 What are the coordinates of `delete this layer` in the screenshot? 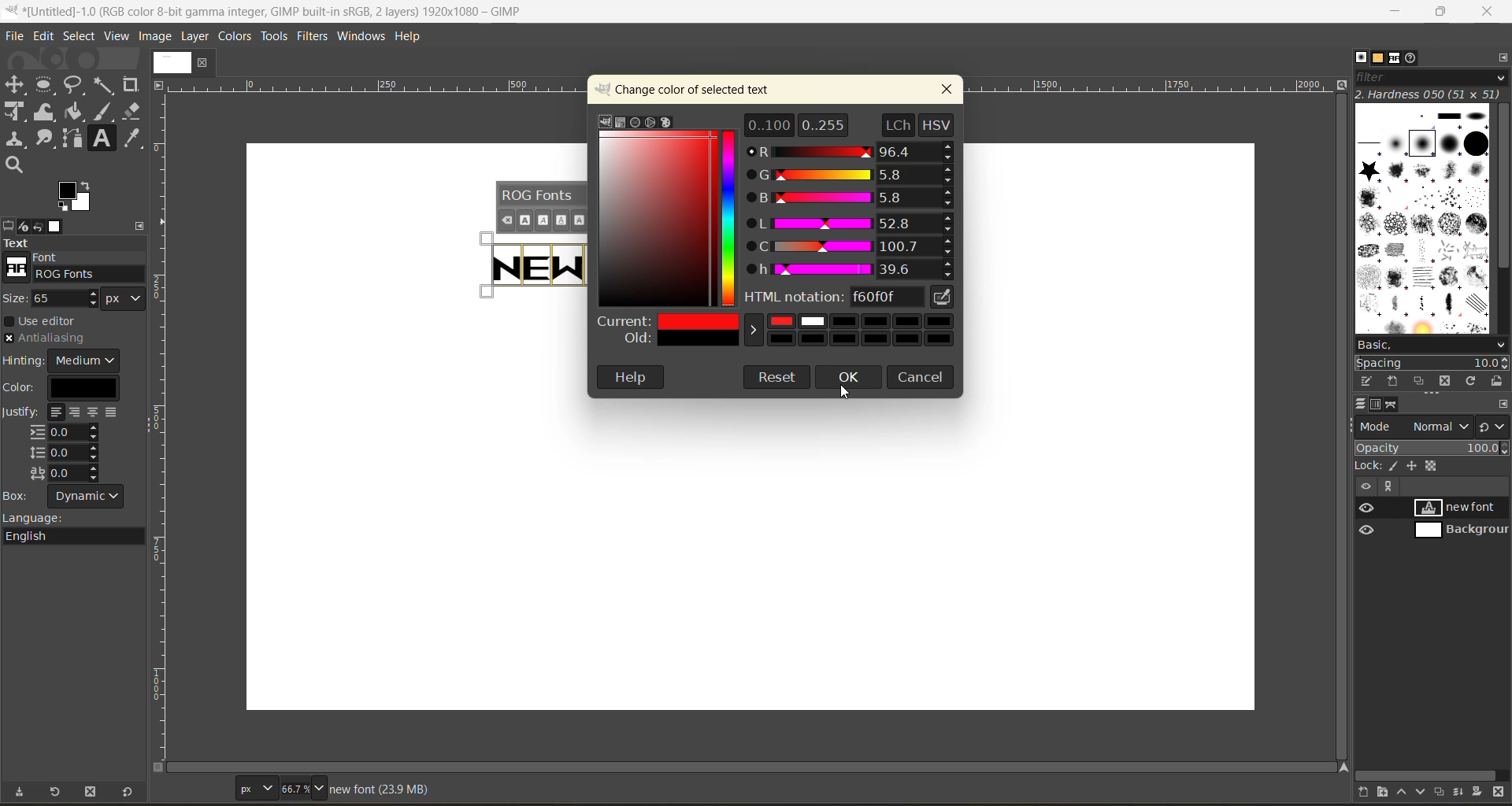 It's located at (1499, 793).